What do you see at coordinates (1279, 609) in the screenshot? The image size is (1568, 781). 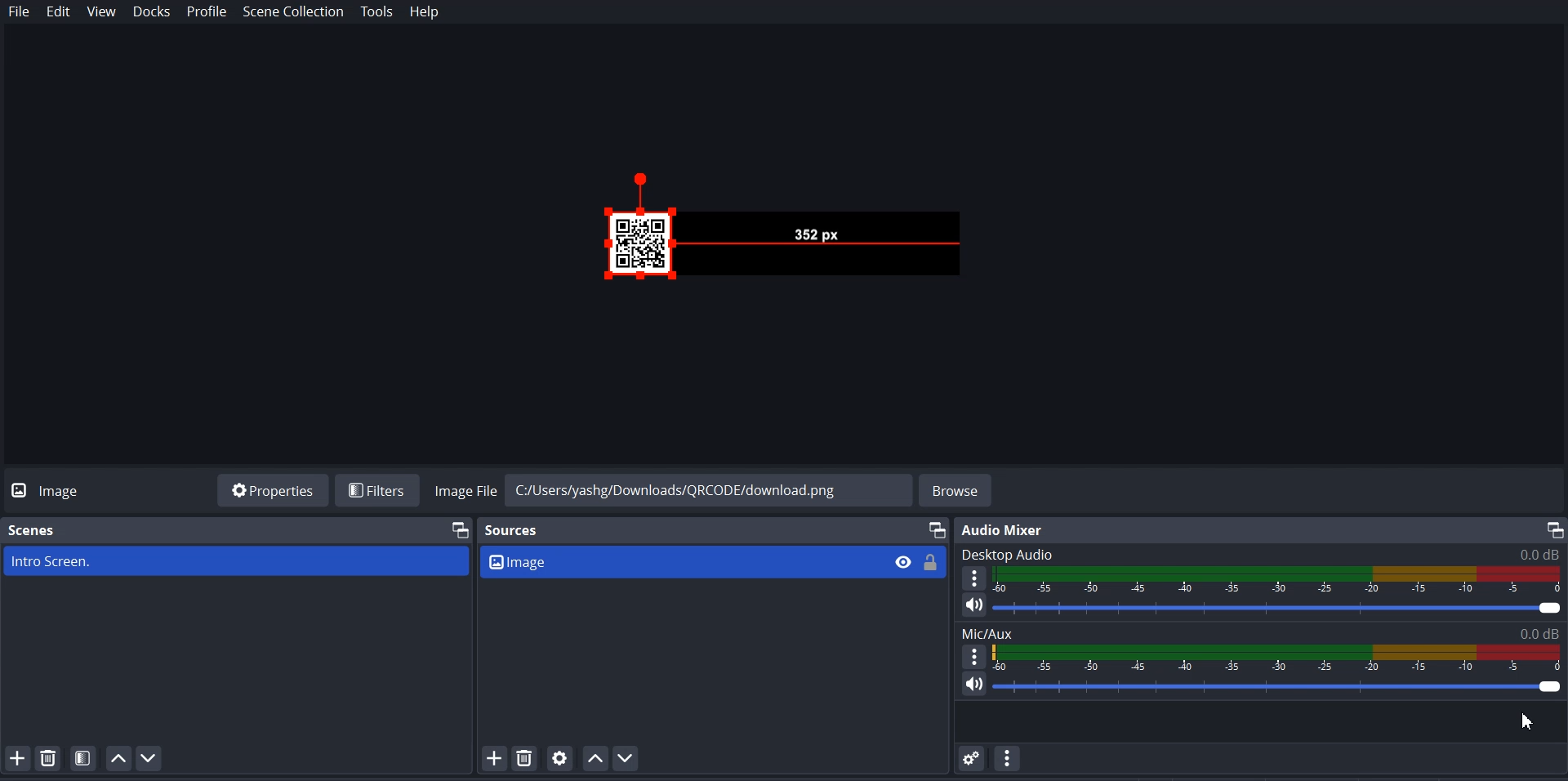 I see `Volume Adjuster` at bounding box center [1279, 609].